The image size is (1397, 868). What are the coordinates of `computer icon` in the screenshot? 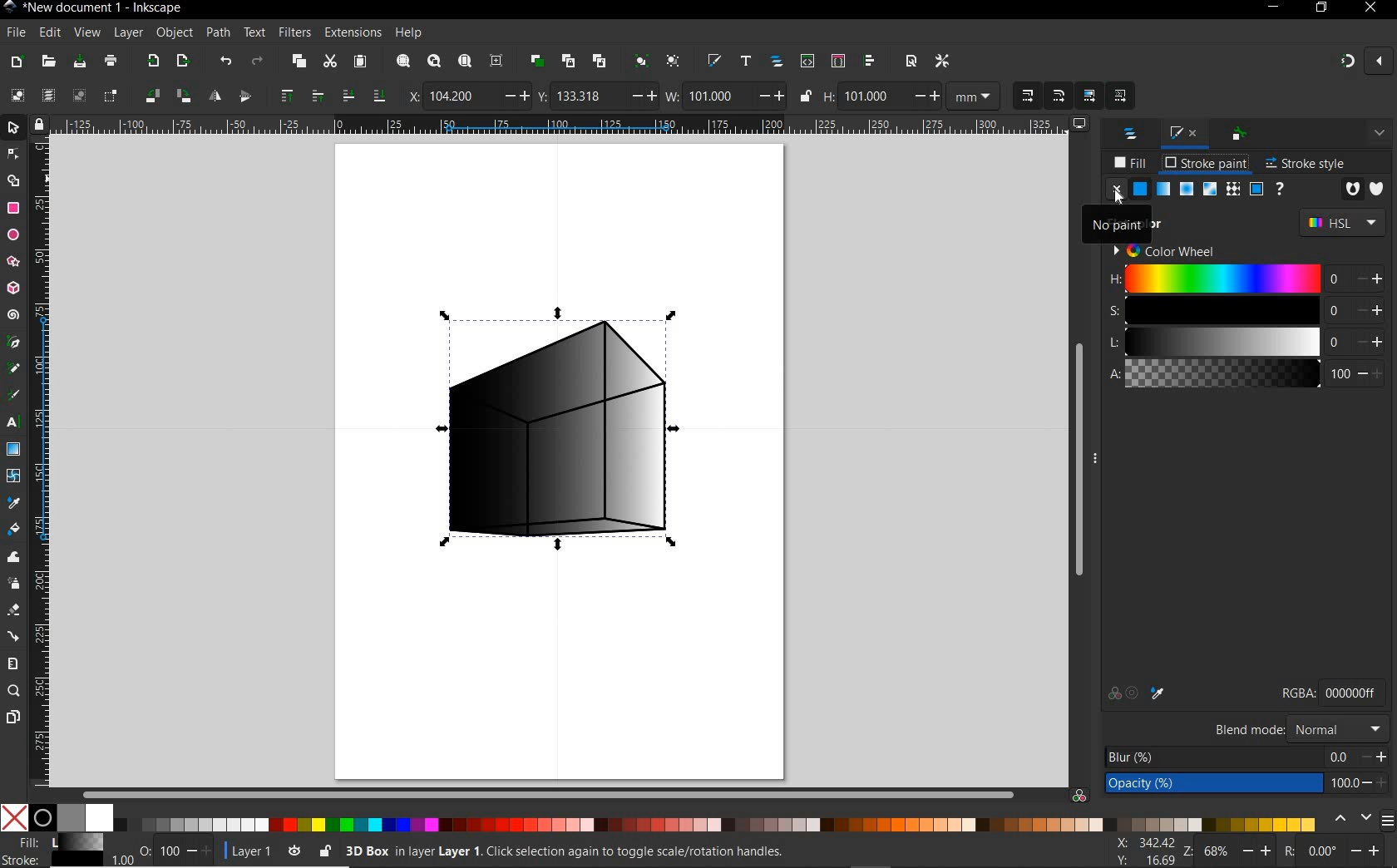 It's located at (1080, 124).